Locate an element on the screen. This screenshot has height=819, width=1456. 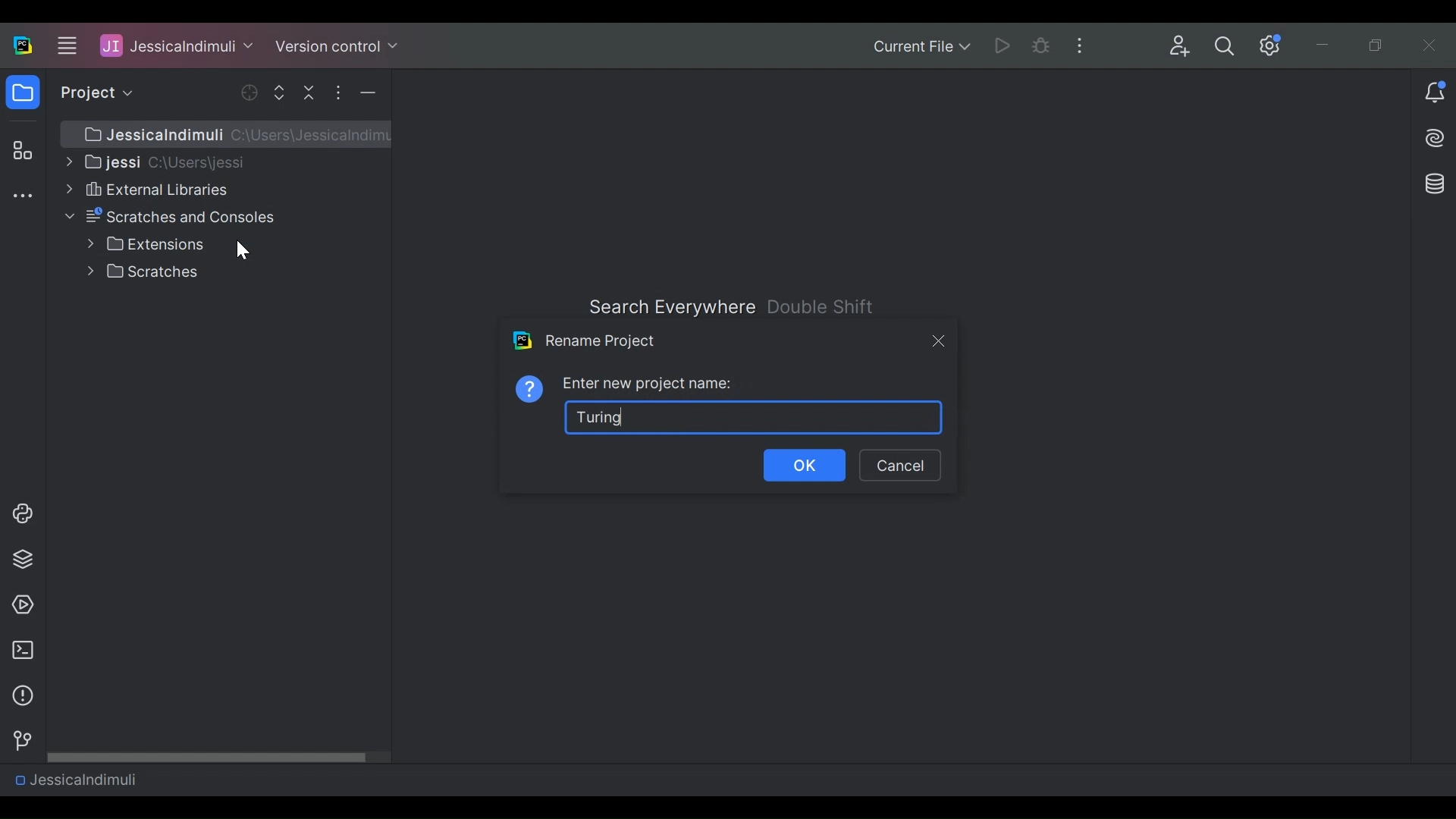
OK is located at coordinates (806, 466).